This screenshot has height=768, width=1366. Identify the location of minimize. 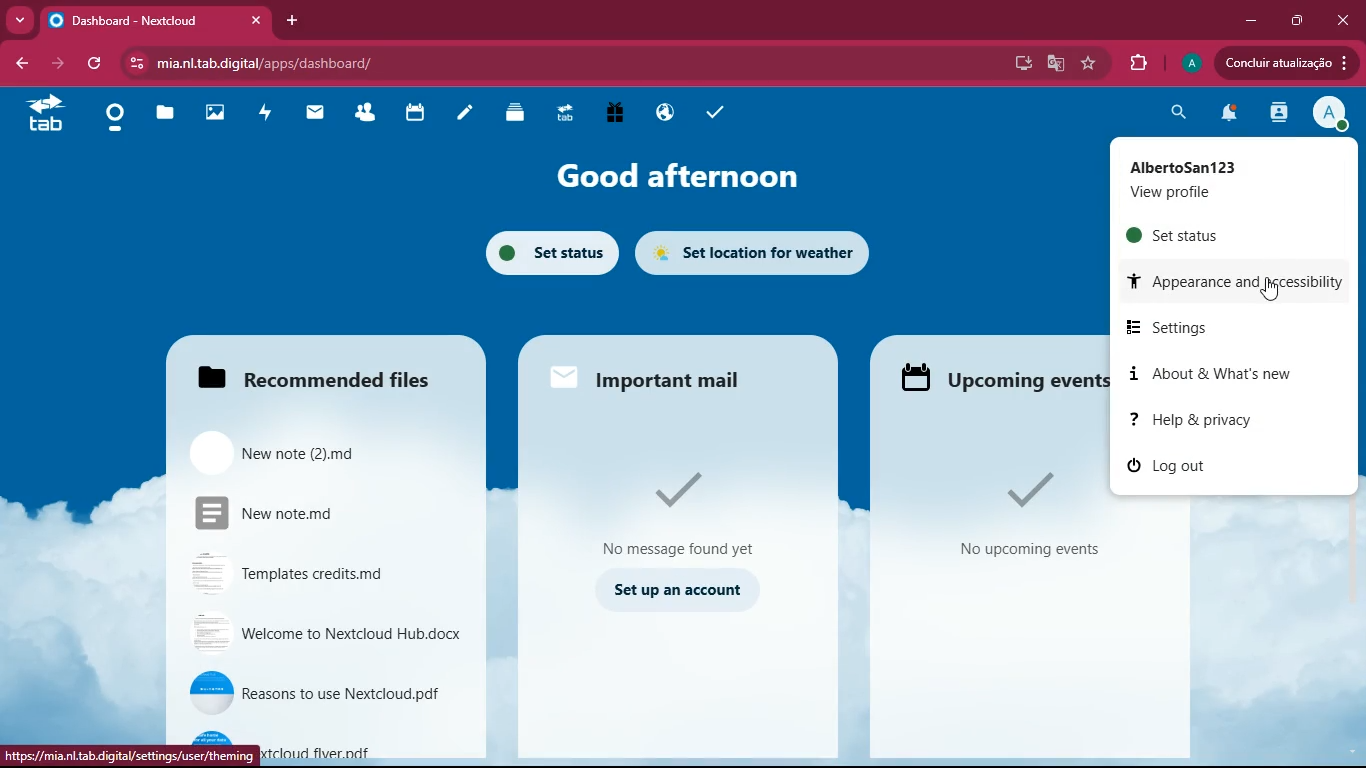
(1252, 20).